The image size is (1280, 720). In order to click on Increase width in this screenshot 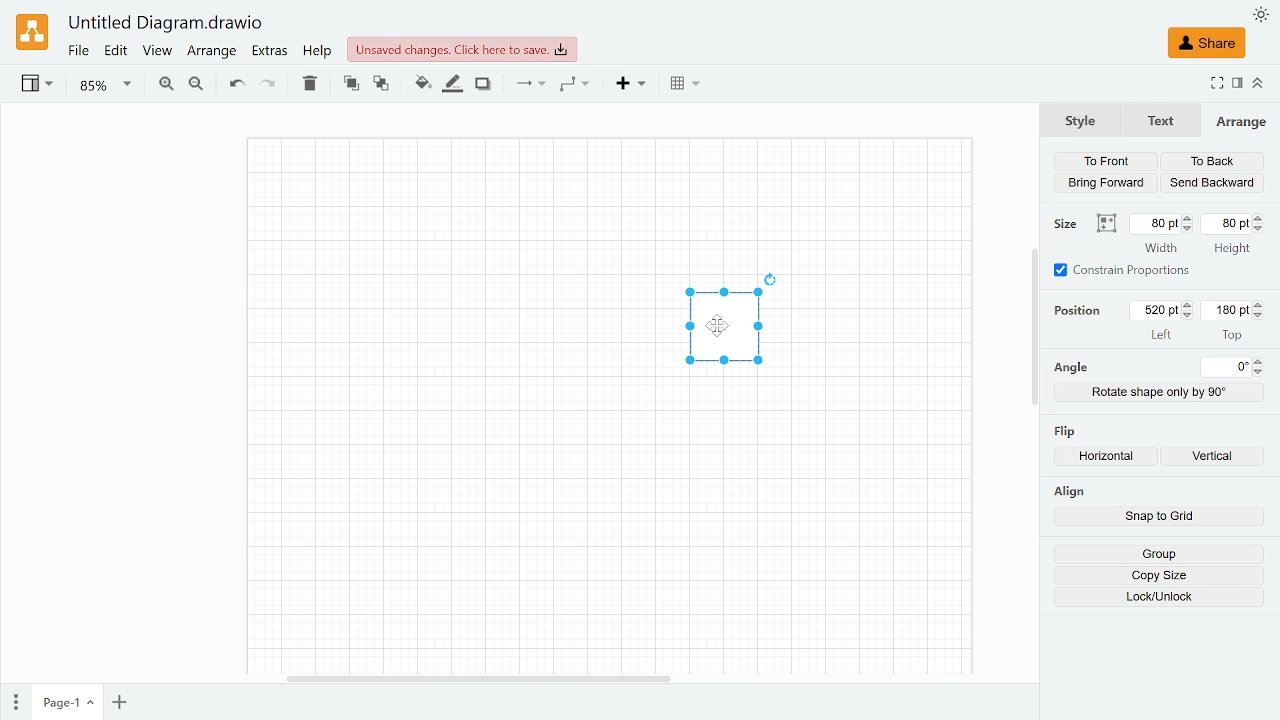, I will do `click(1189, 218)`.